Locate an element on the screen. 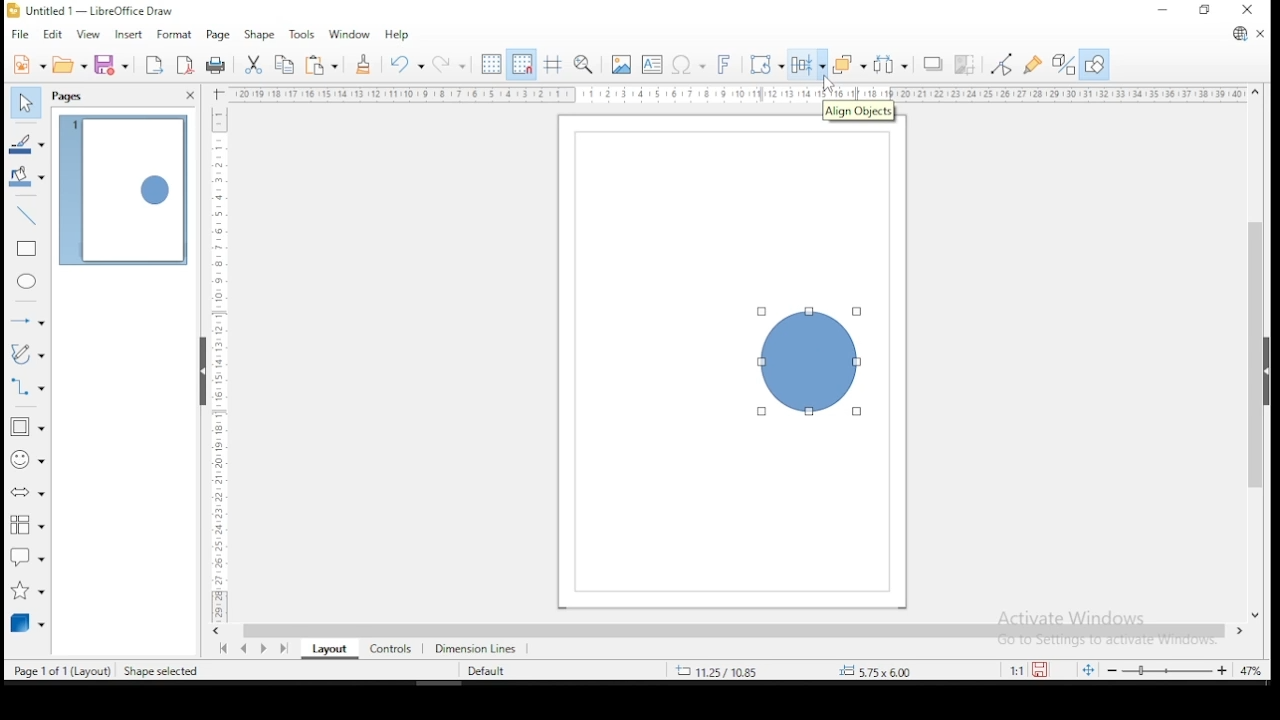 The height and width of the screenshot is (720, 1280). export is located at coordinates (152, 65).